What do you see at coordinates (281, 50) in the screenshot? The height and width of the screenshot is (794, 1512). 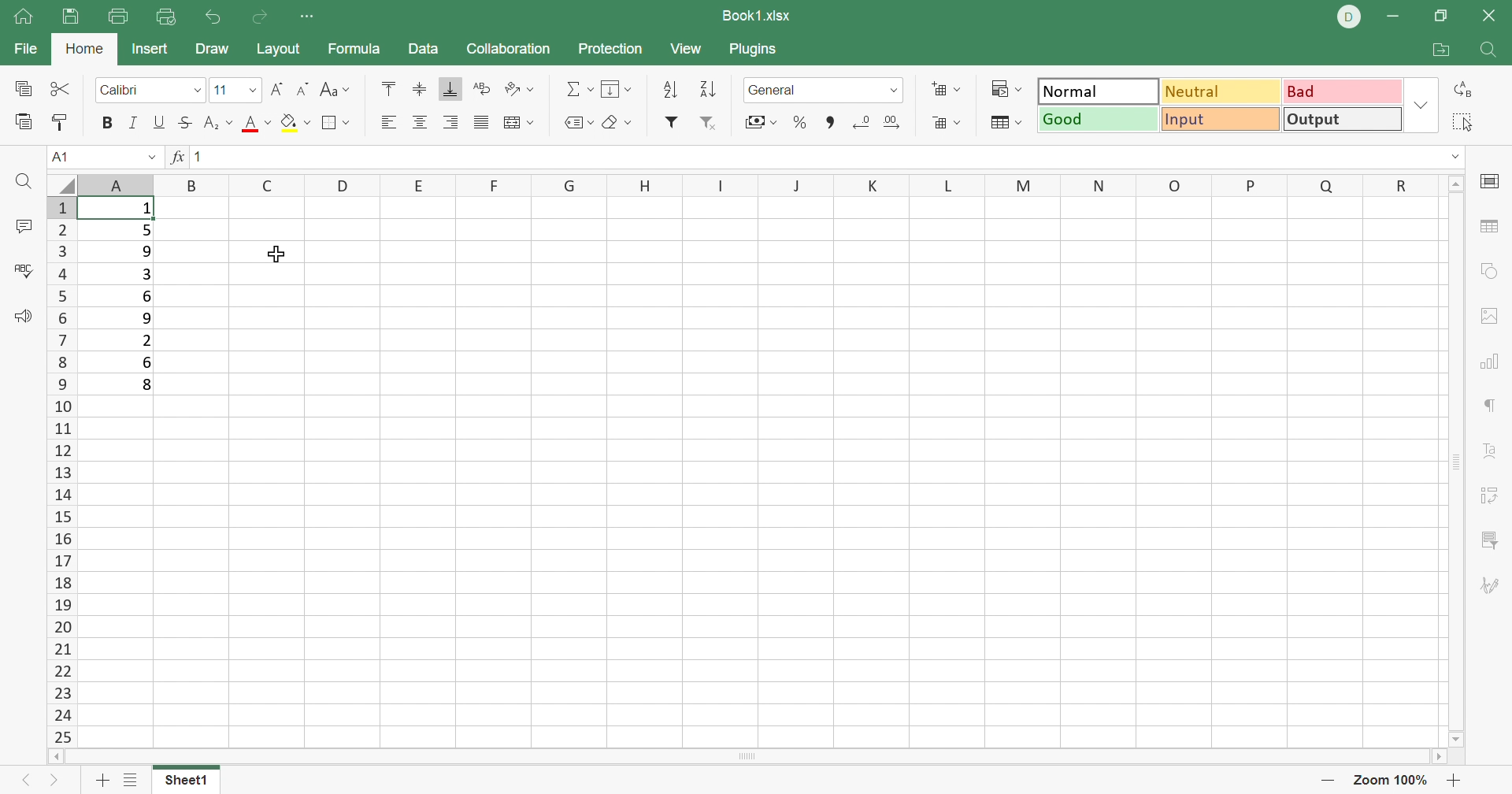 I see `Layout` at bounding box center [281, 50].